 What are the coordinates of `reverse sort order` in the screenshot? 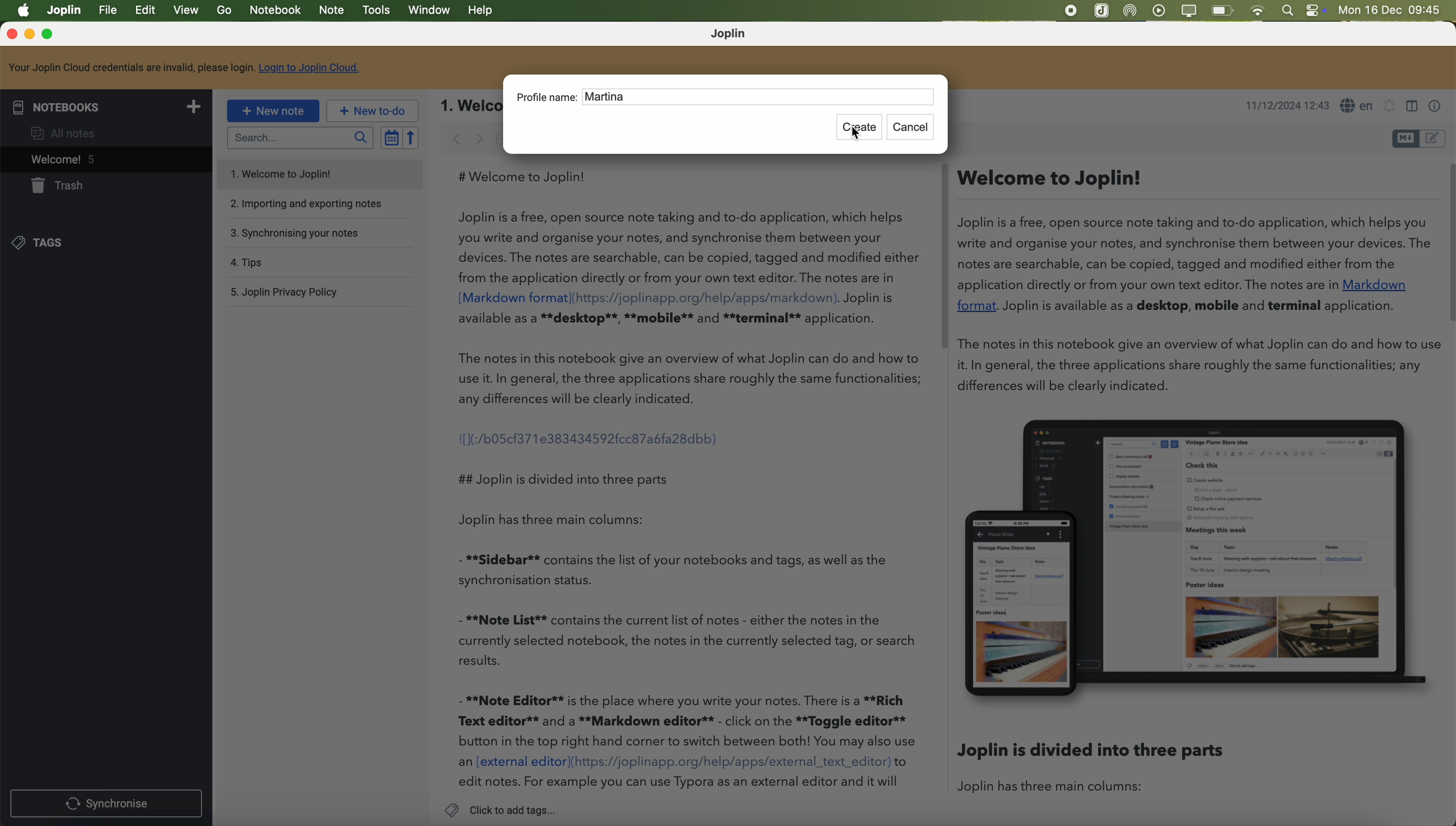 It's located at (410, 138).